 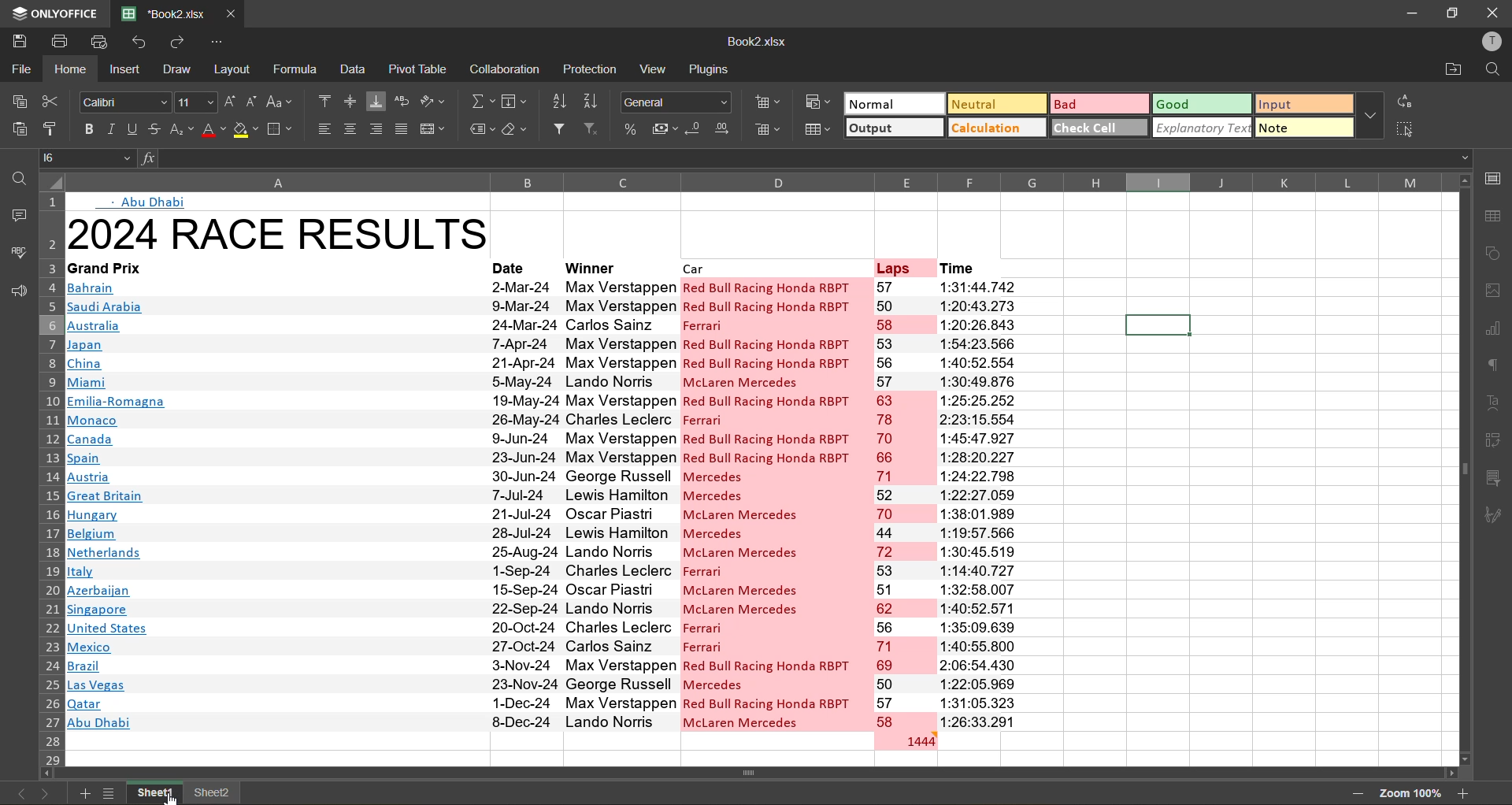 What do you see at coordinates (327, 102) in the screenshot?
I see `align top` at bounding box center [327, 102].